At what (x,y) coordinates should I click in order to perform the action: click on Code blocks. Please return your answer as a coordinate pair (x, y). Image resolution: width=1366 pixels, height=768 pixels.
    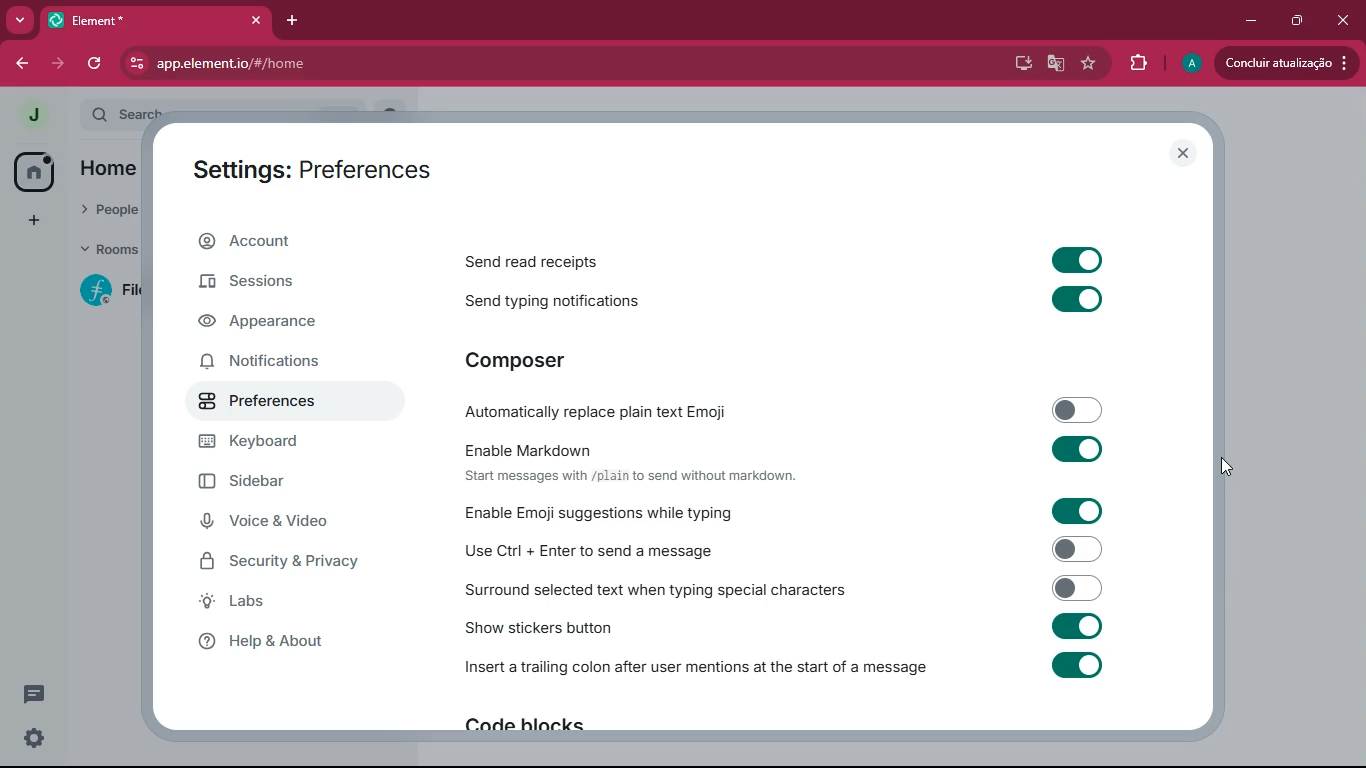
    Looking at the image, I should click on (524, 729).